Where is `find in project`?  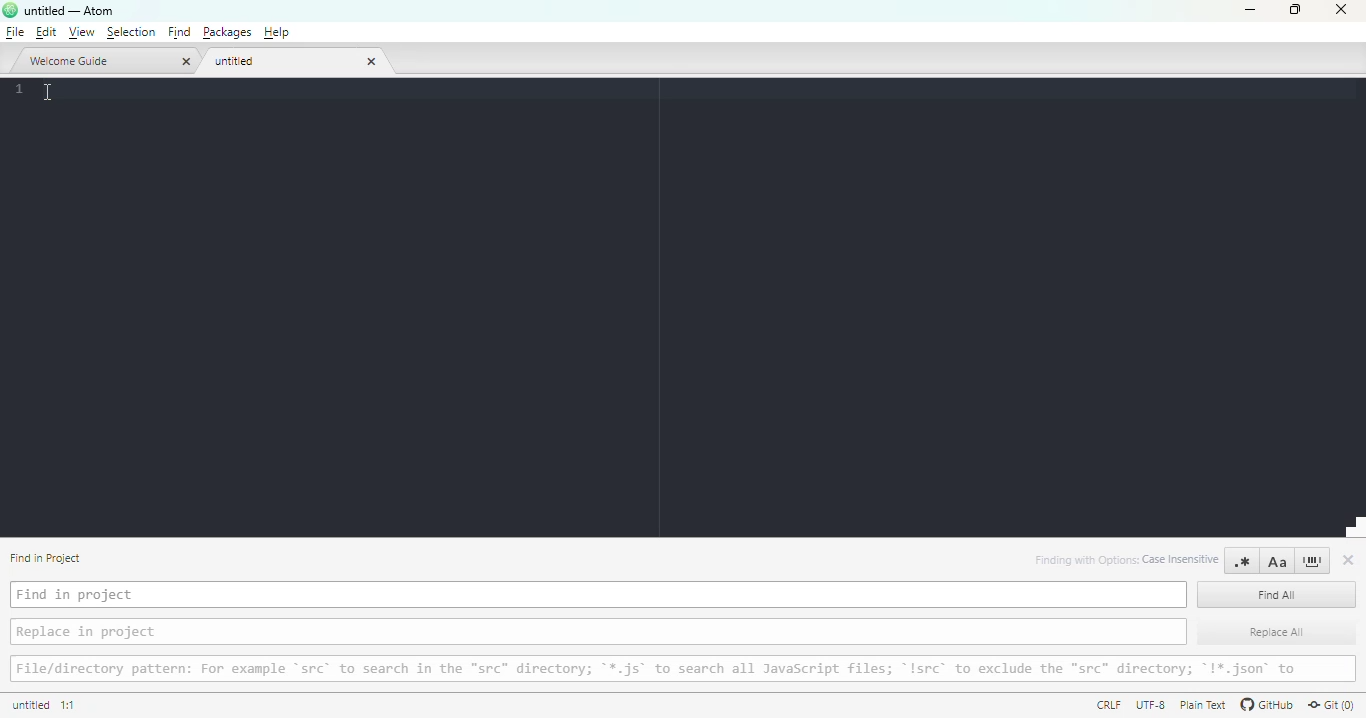
find in project is located at coordinates (45, 559).